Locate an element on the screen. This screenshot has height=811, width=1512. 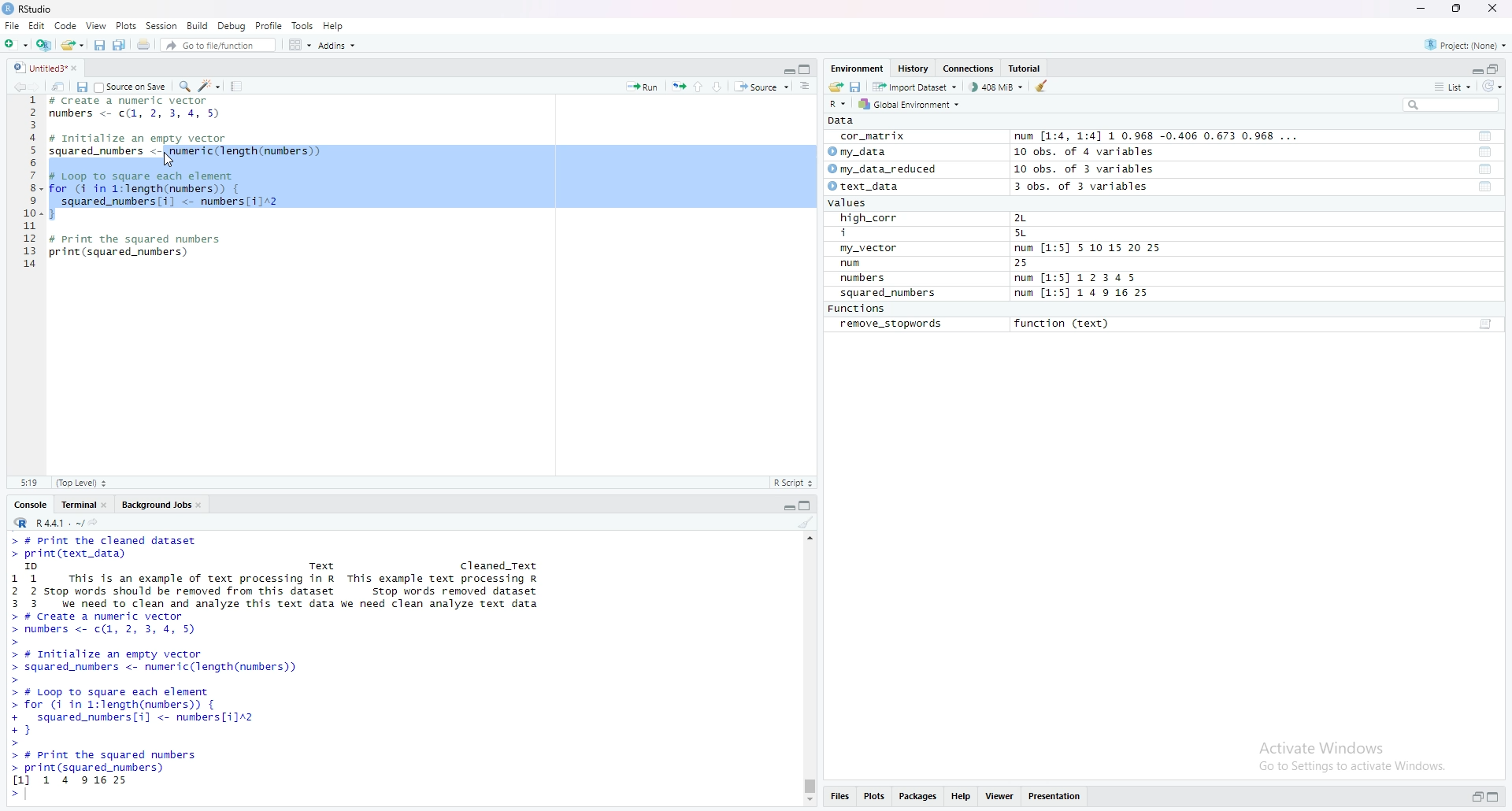
5:19 is located at coordinates (28, 482).